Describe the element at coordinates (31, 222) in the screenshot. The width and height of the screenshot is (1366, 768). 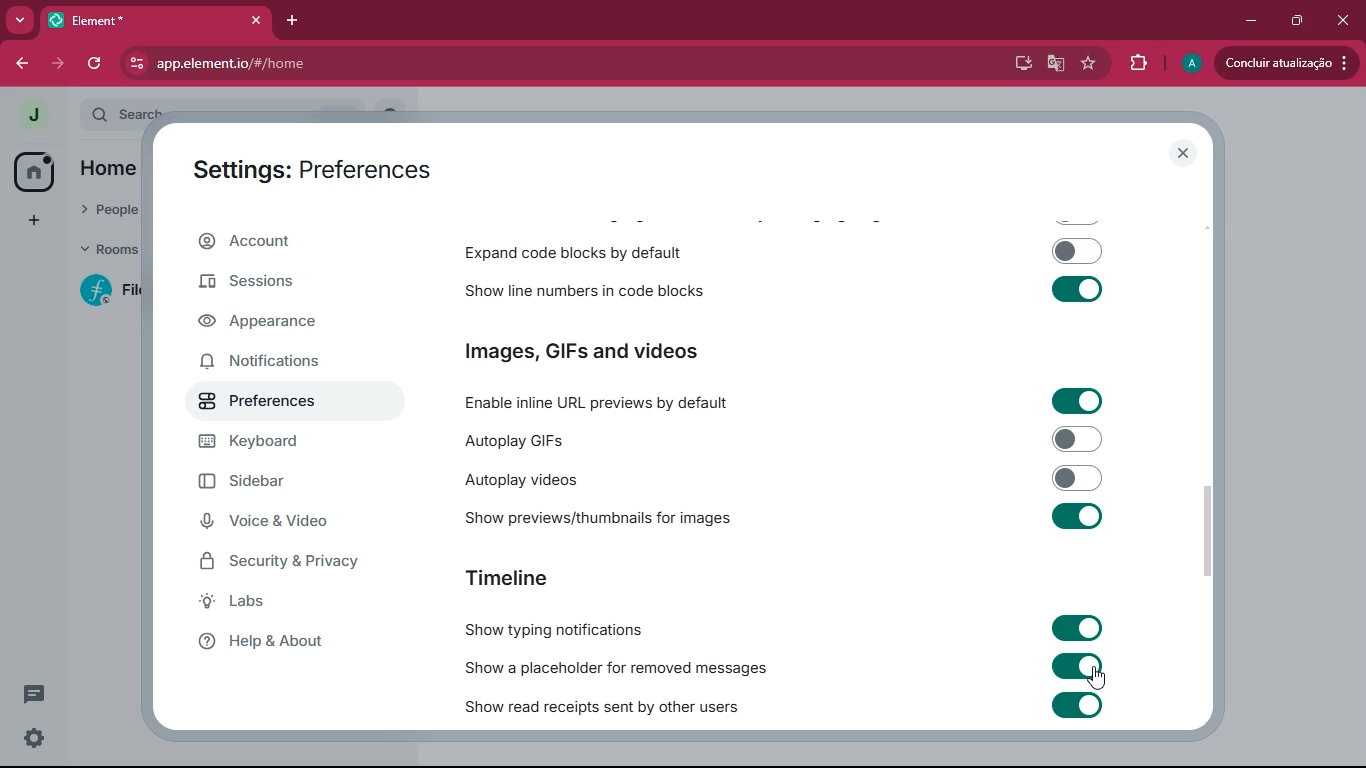
I see `add` at that location.